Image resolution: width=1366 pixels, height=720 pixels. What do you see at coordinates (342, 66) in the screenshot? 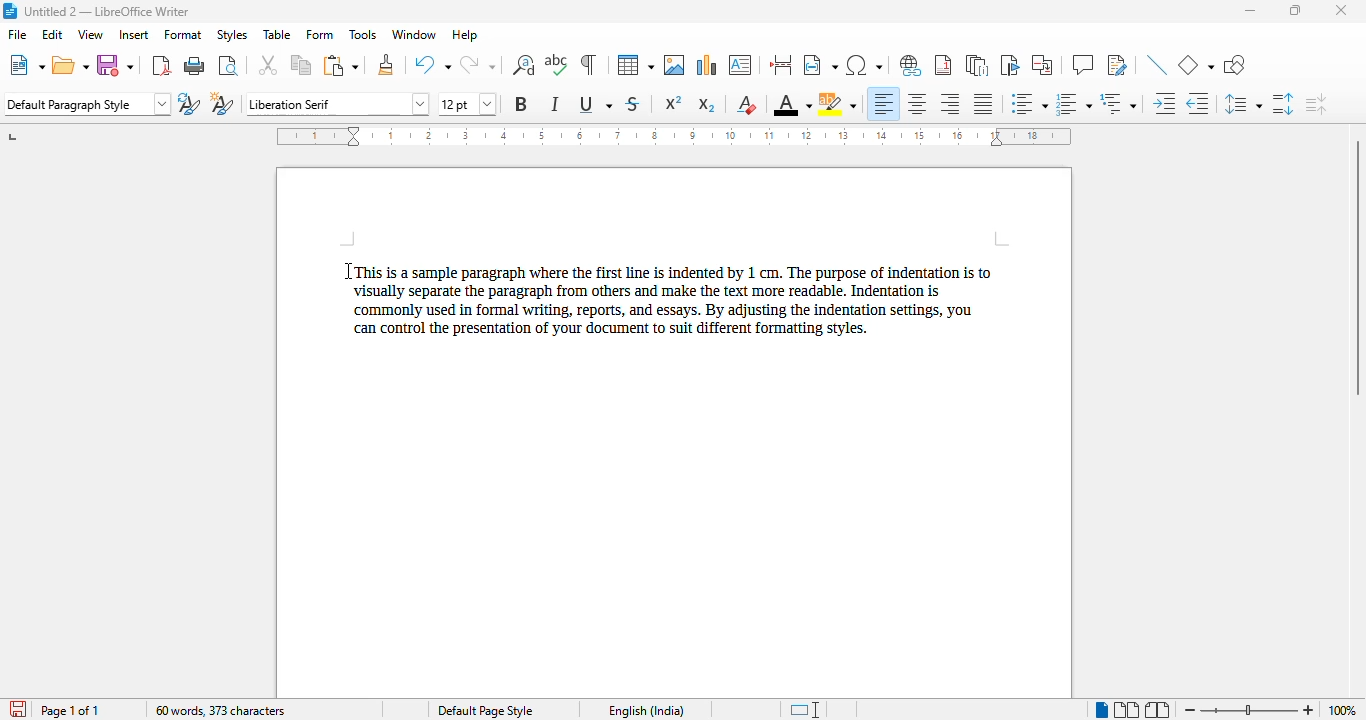
I see `paste` at bounding box center [342, 66].